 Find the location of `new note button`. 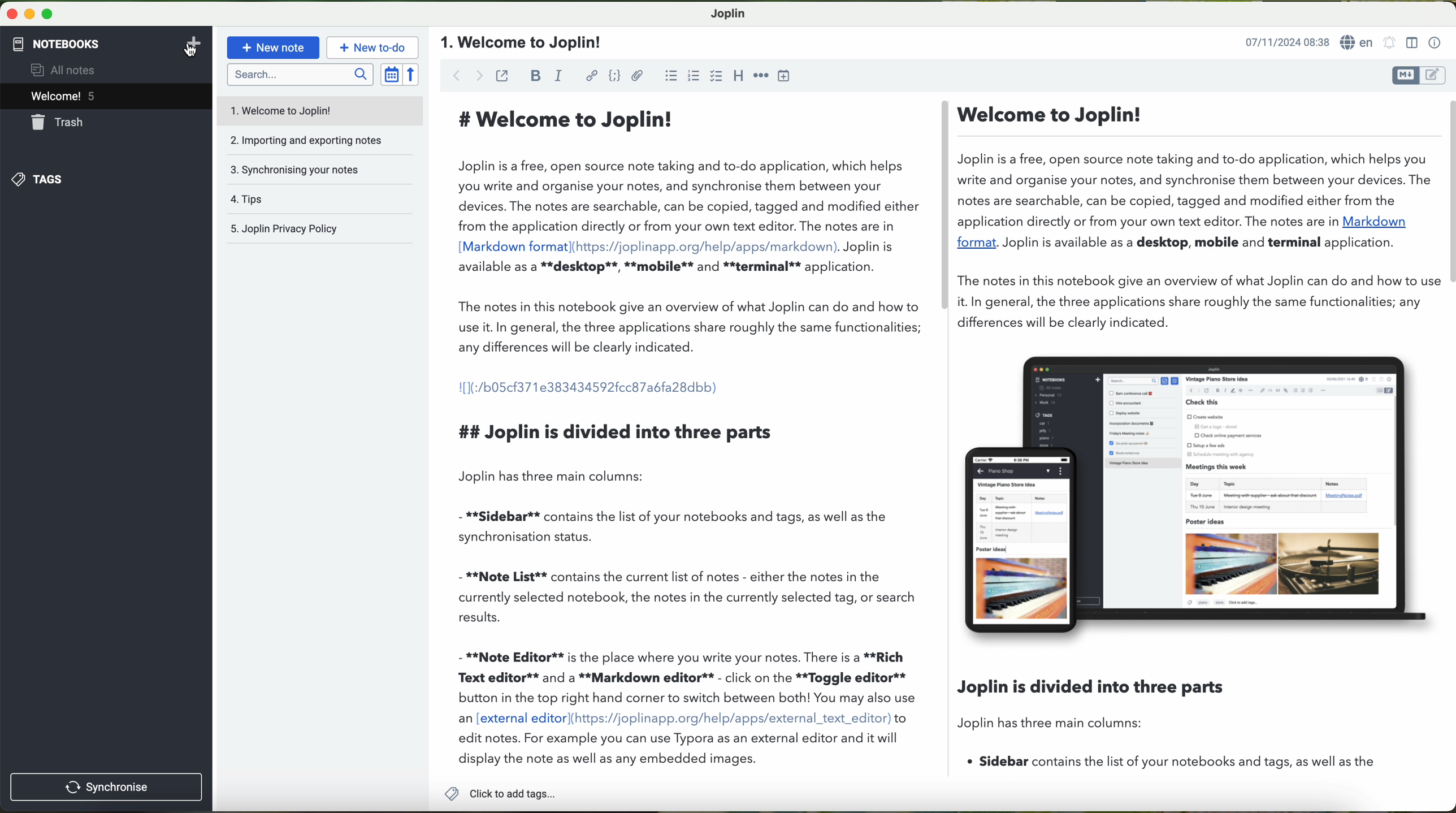

new note button is located at coordinates (273, 47).